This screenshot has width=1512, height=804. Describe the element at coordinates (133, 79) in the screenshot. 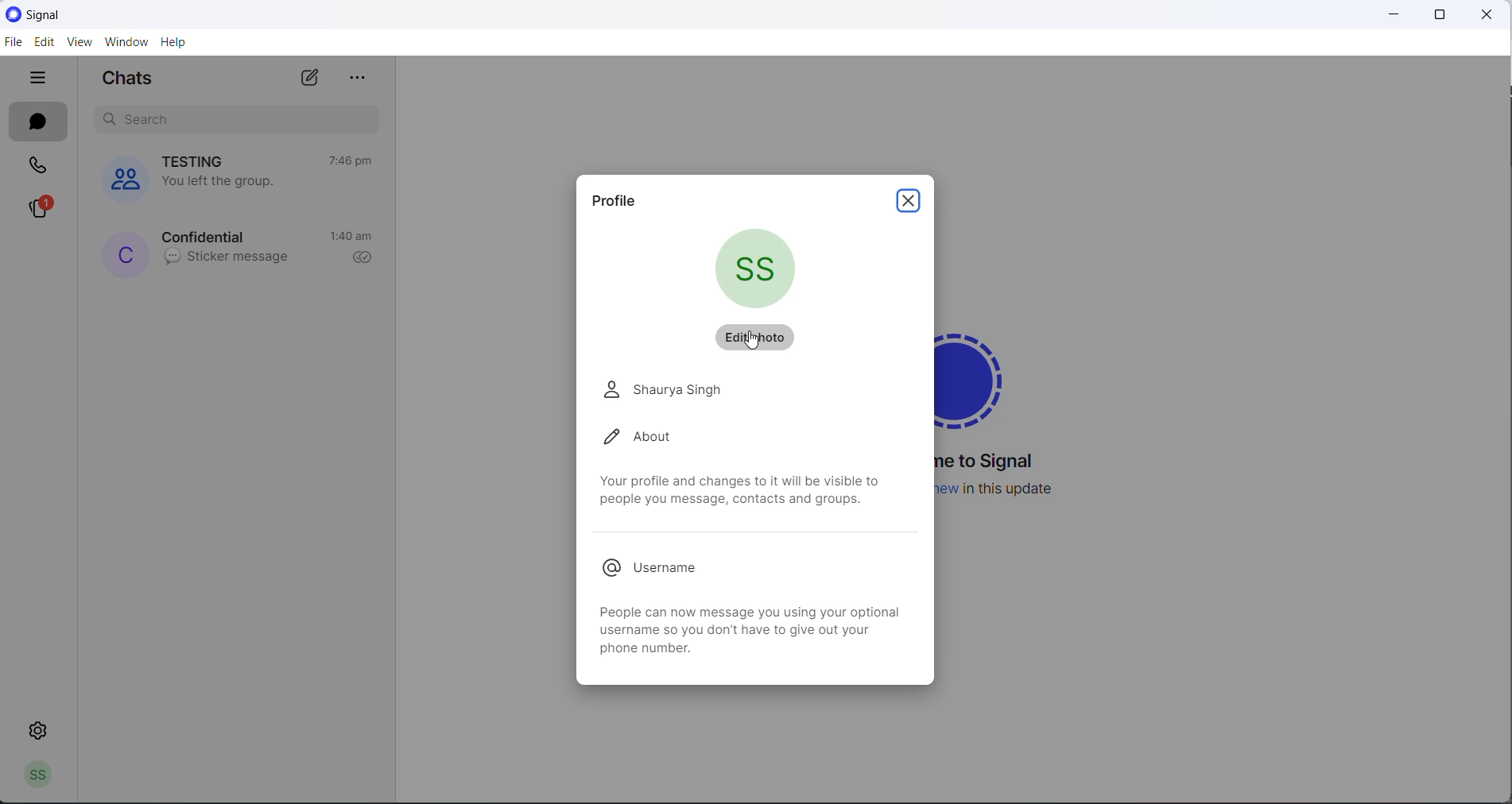

I see `chats heading` at that location.